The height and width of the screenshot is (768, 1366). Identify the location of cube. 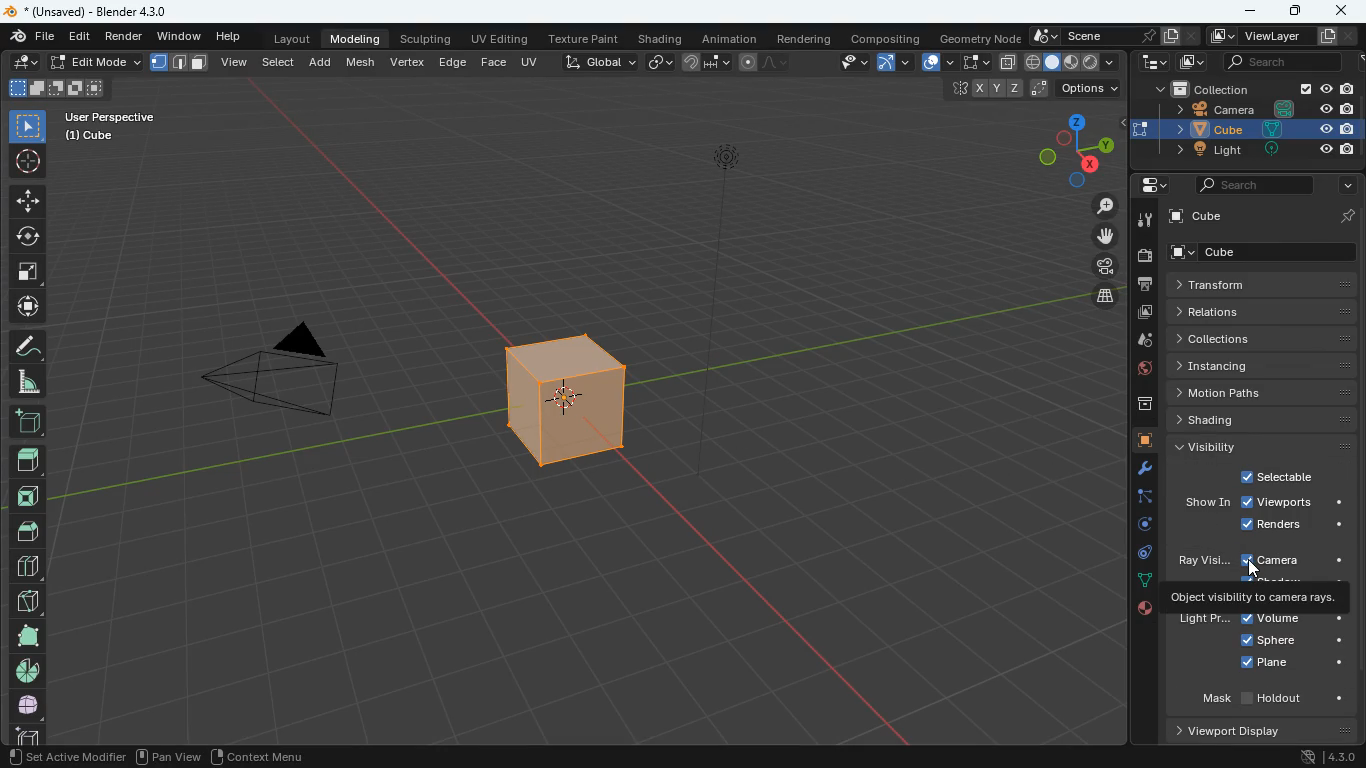
(1267, 216).